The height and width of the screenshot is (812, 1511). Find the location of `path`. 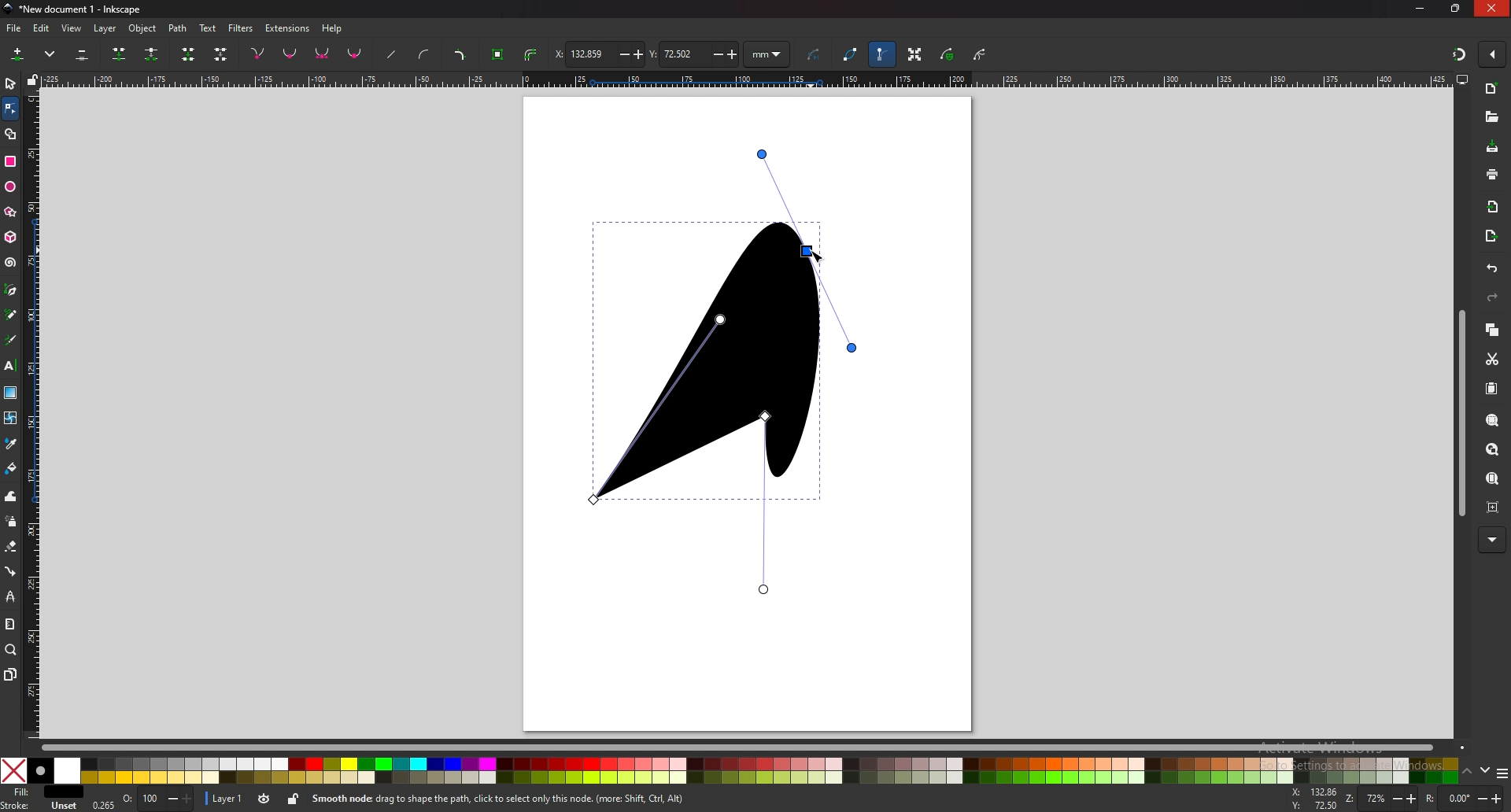

path is located at coordinates (179, 29).